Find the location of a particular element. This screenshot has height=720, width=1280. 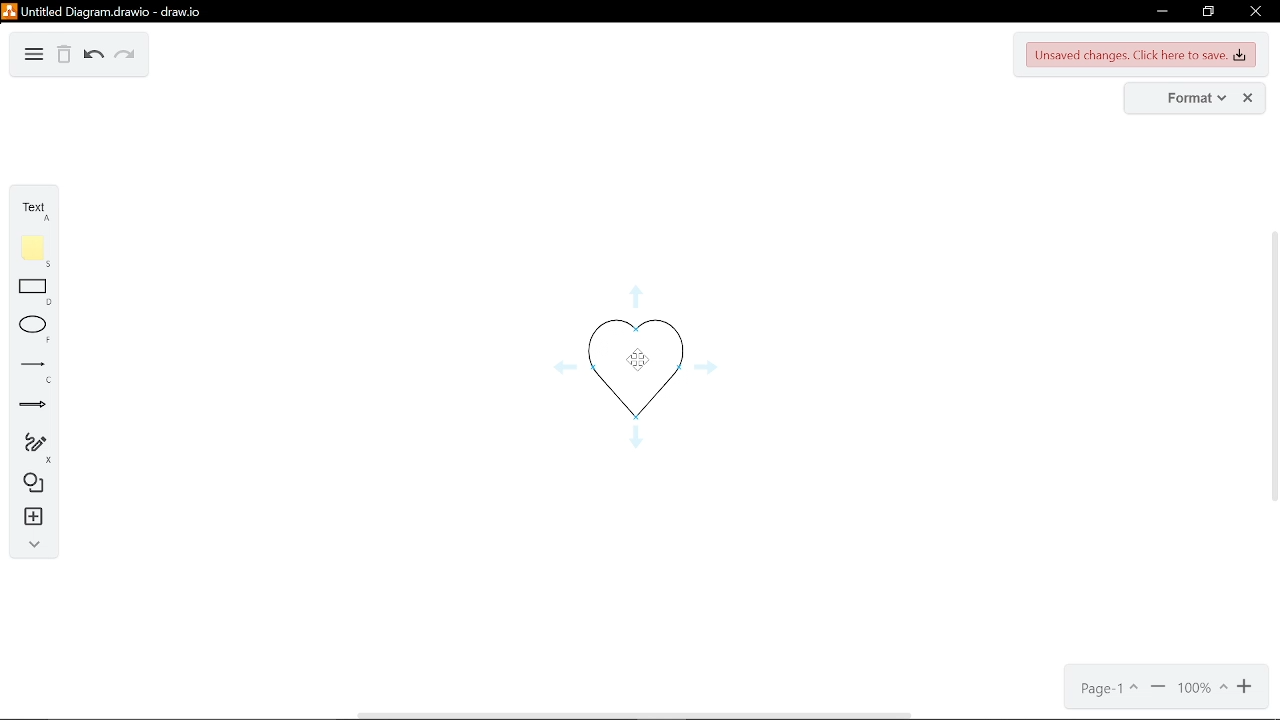

minimize is located at coordinates (1161, 11).